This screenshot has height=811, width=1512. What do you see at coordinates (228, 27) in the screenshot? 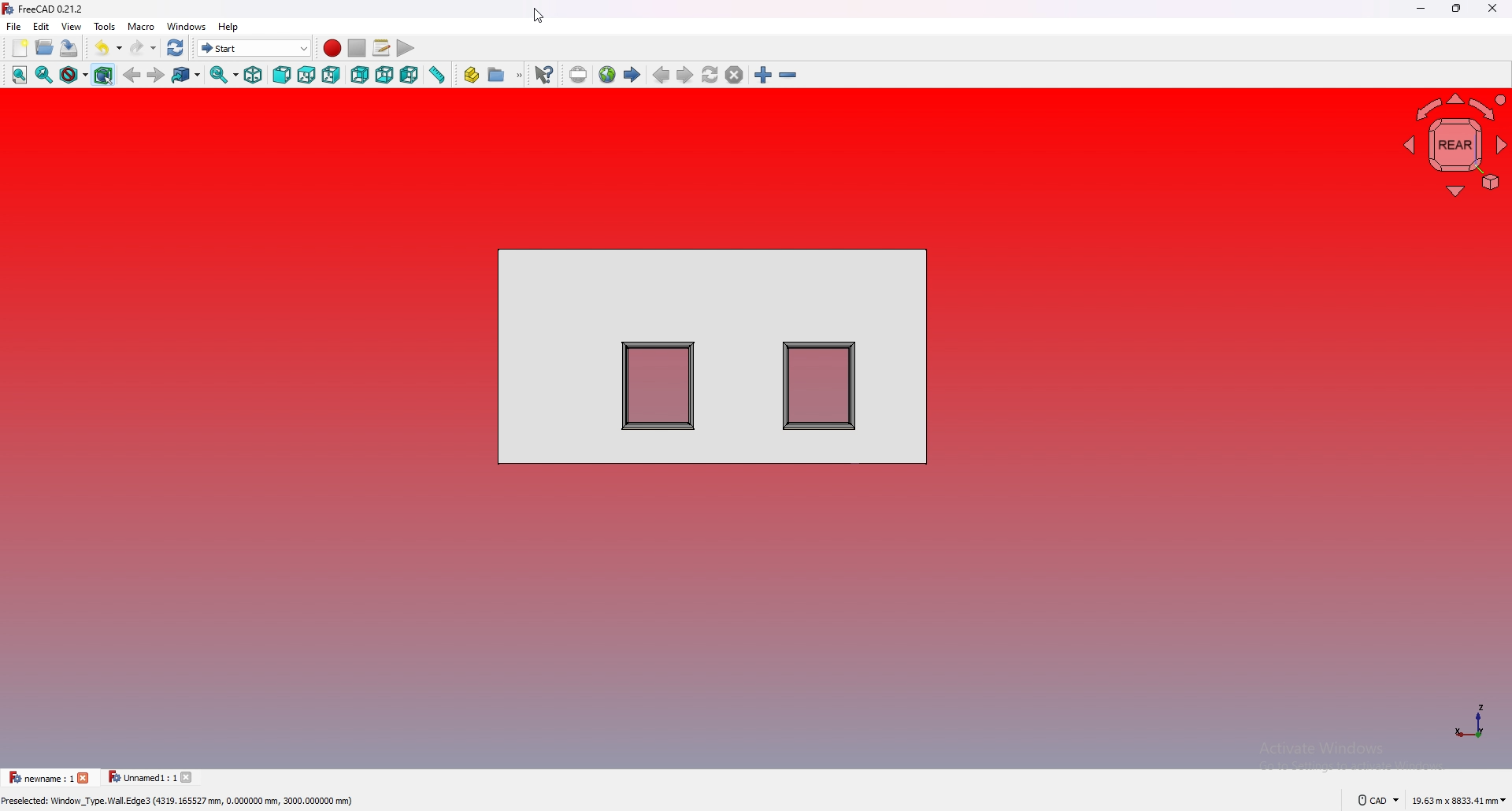
I see `help` at bounding box center [228, 27].